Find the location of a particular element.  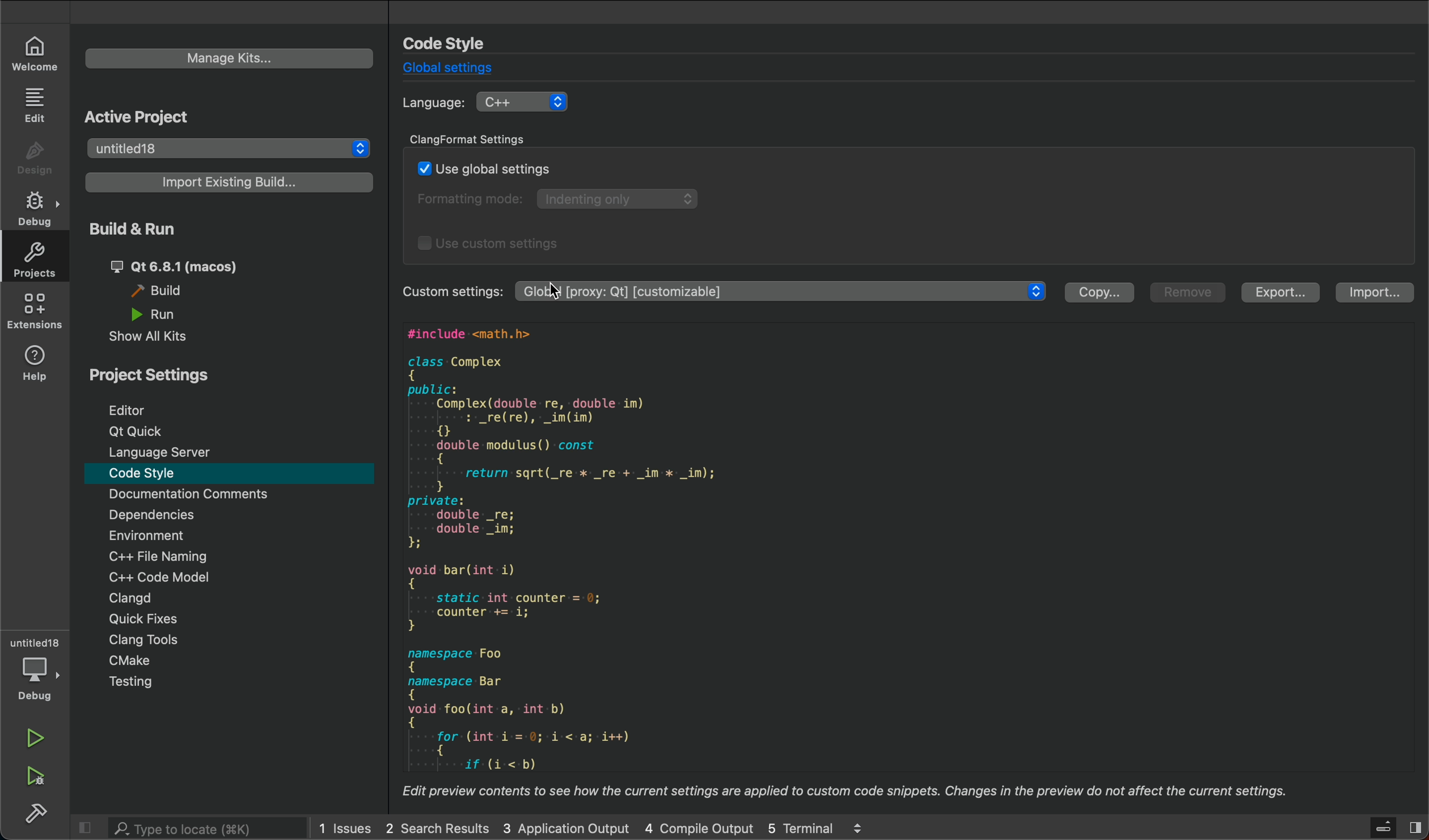

welcome is located at coordinates (36, 54).